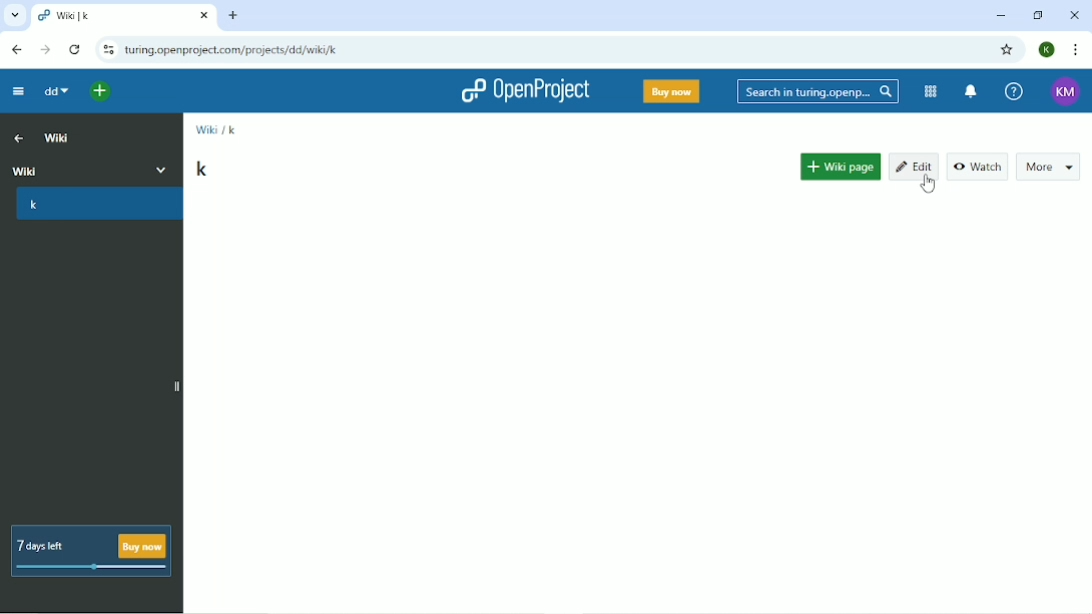 This screenshot has width=1092, height=614. Describe the element at coordinates (816, 92) in the screenshot. I see `Search in turing.openp` at that location.